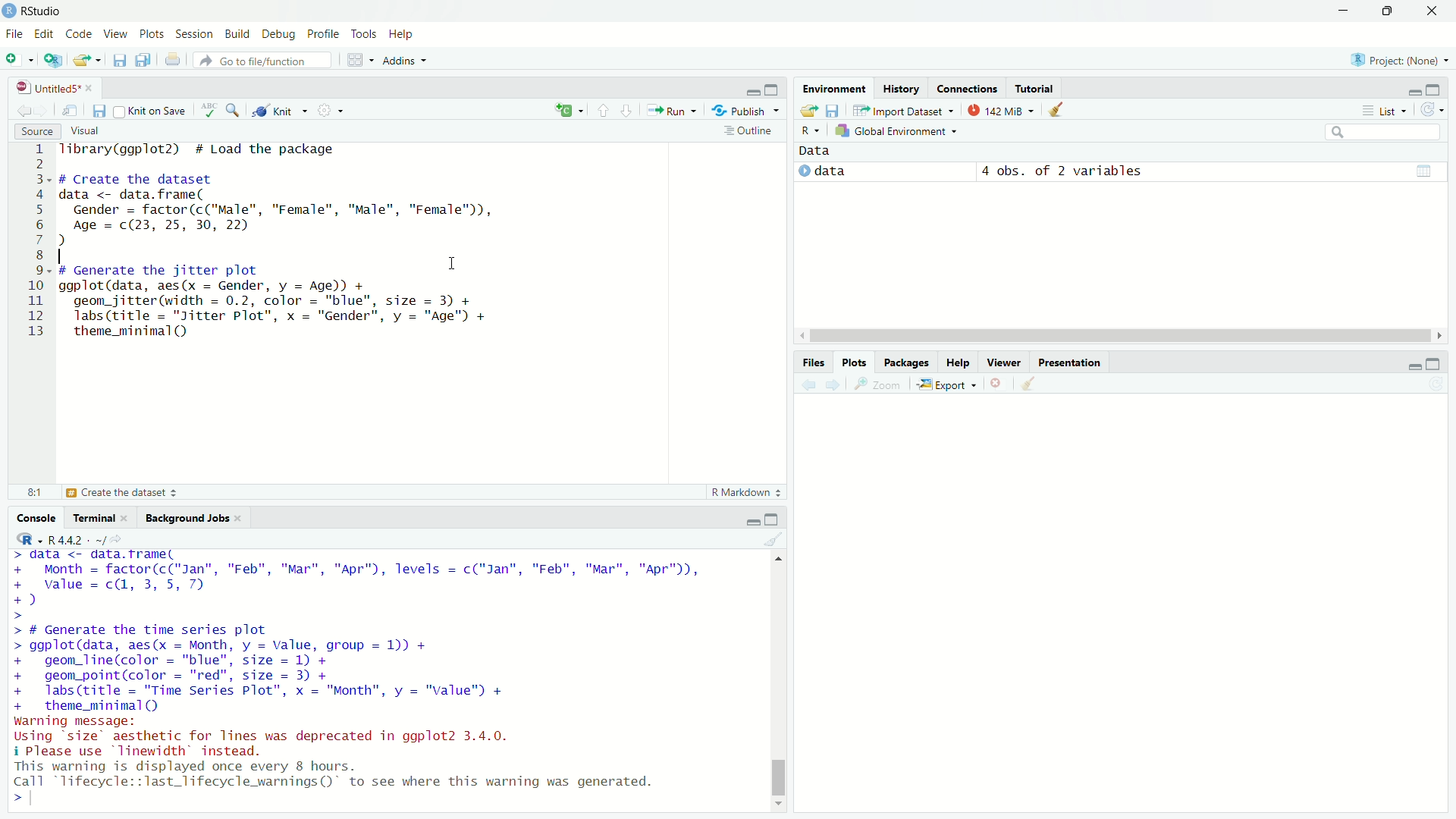 This screenshot has height=819, width=1456. What do you see at coordinates (899, 132) in the screenshot?
I see `global environment` at bounding box center [899, 132].